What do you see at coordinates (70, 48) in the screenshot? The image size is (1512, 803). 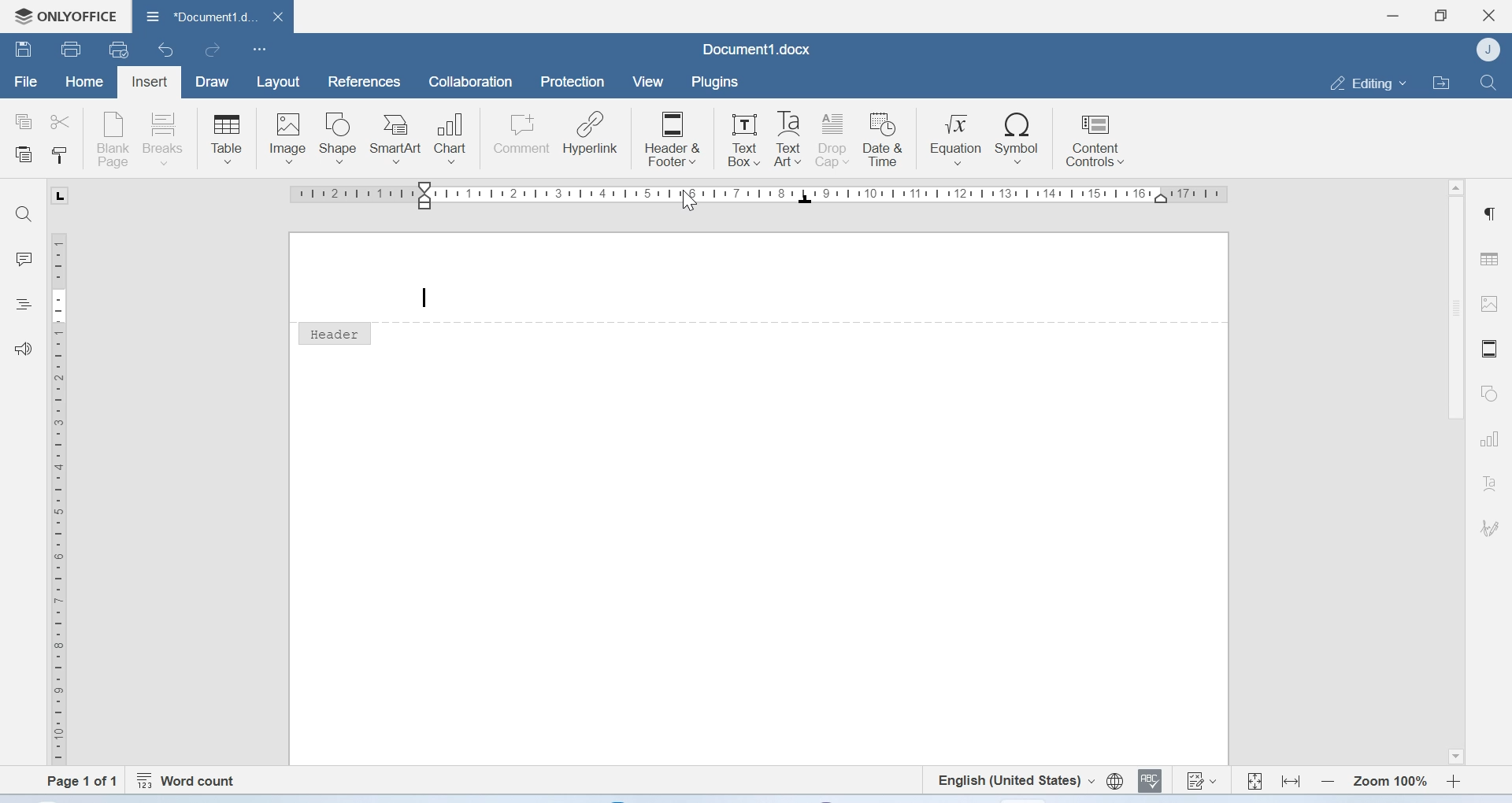 I see `Print file` at bounding box center [70, 48].